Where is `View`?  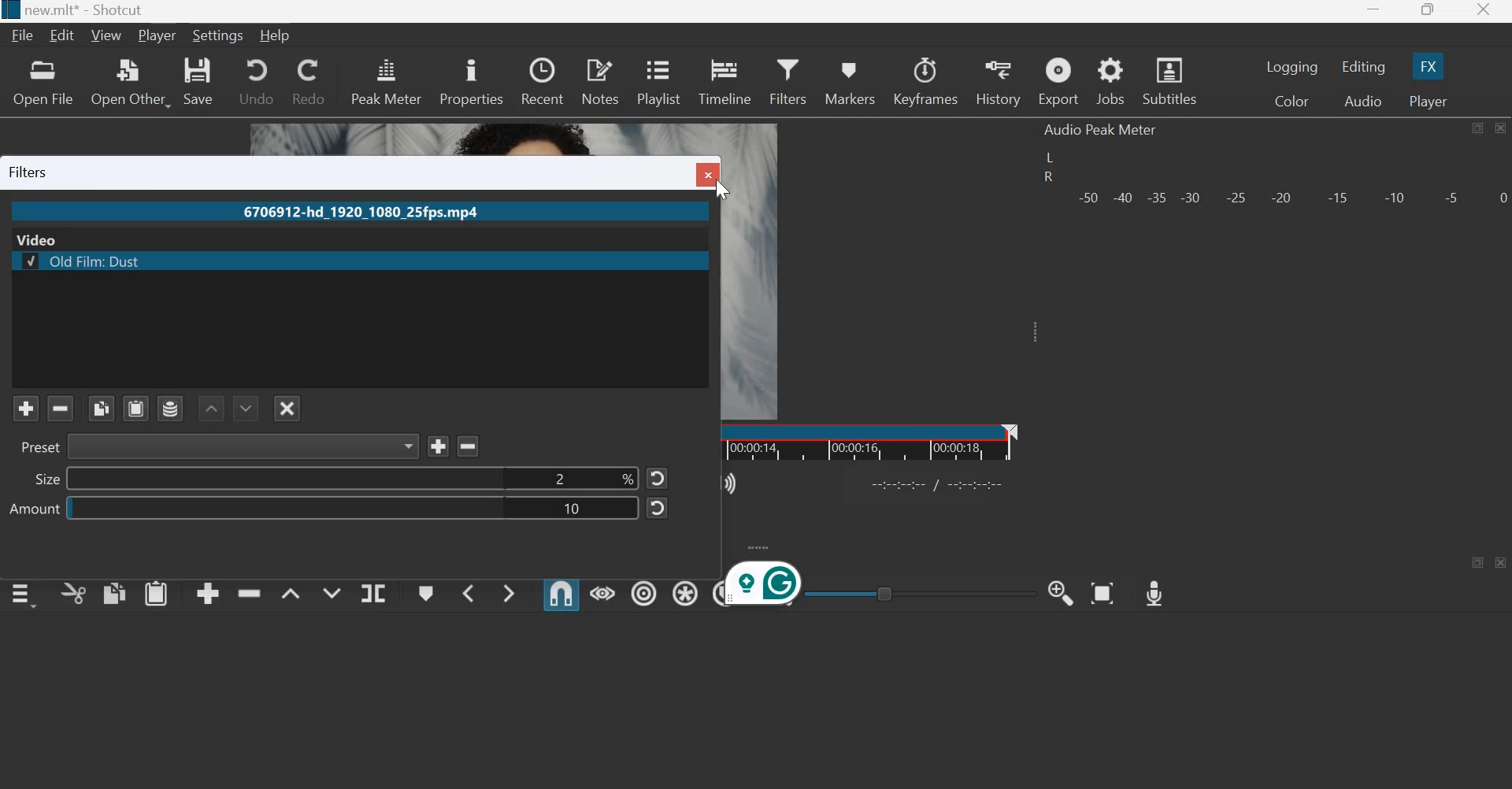
View is located at coordinates (109, 35).